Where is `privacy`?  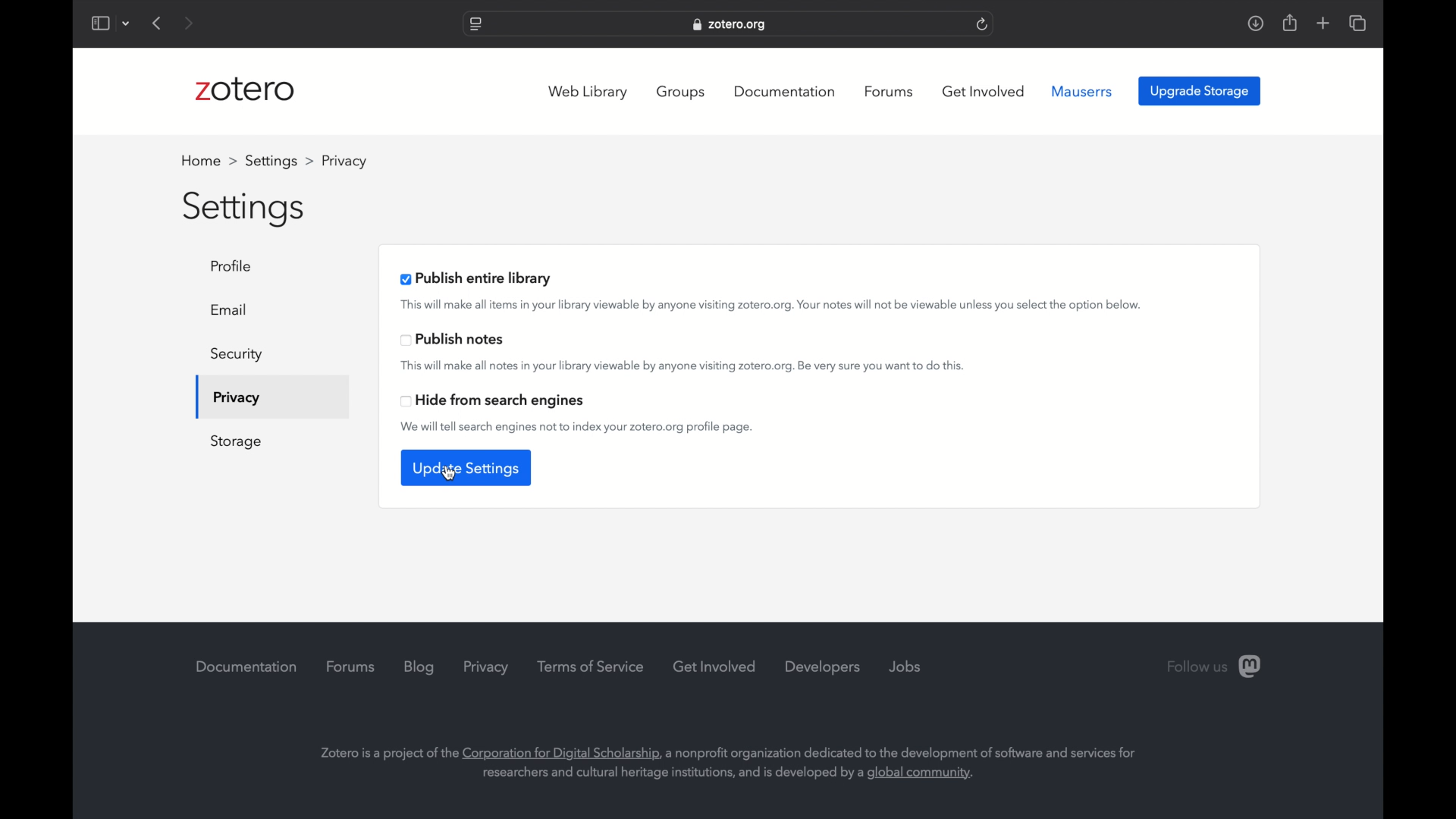
privacy is located at coordinates (486, 668).